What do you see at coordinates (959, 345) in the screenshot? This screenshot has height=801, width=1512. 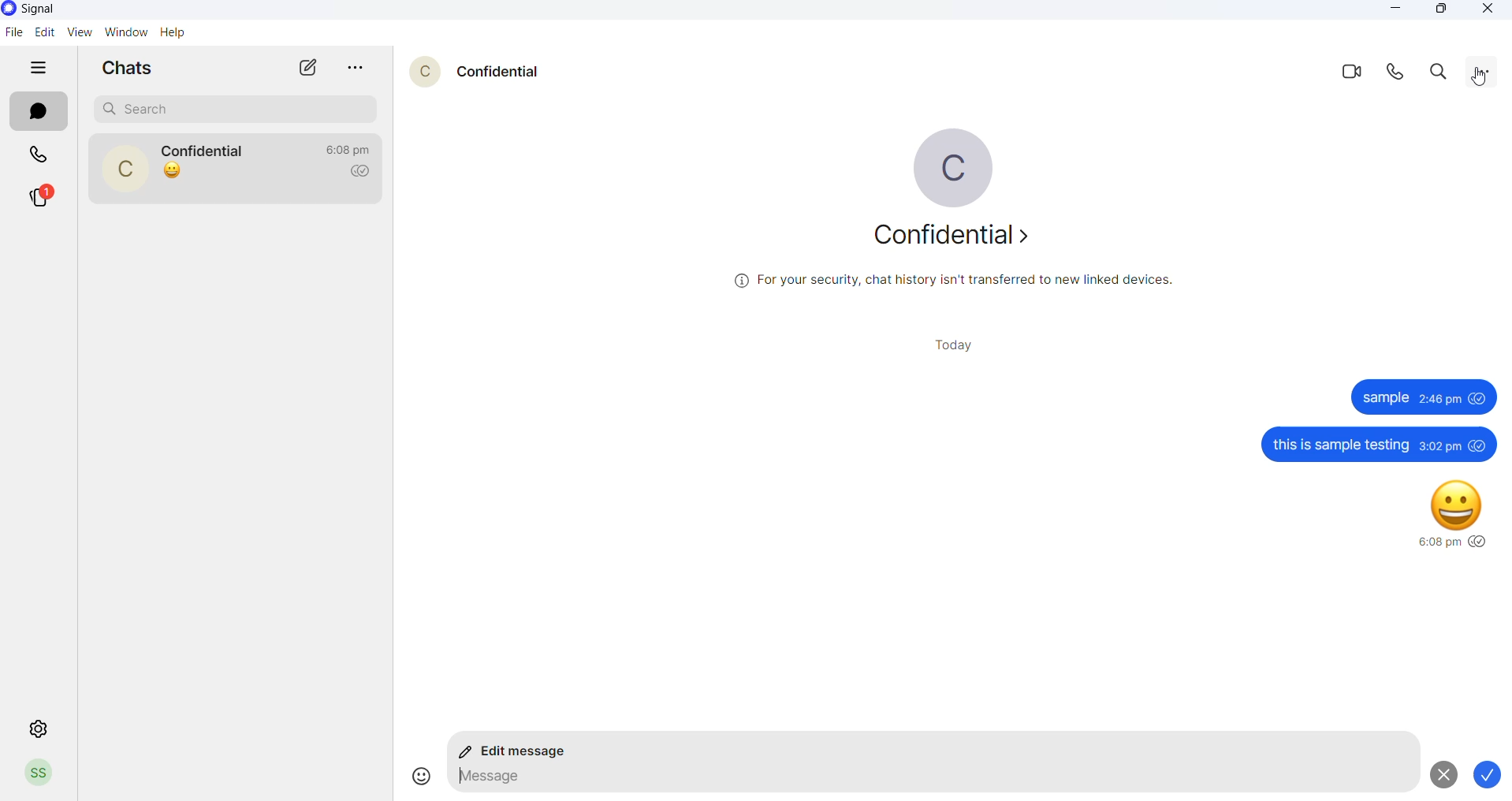 I see `today heading` at bounding box center [959, 345].